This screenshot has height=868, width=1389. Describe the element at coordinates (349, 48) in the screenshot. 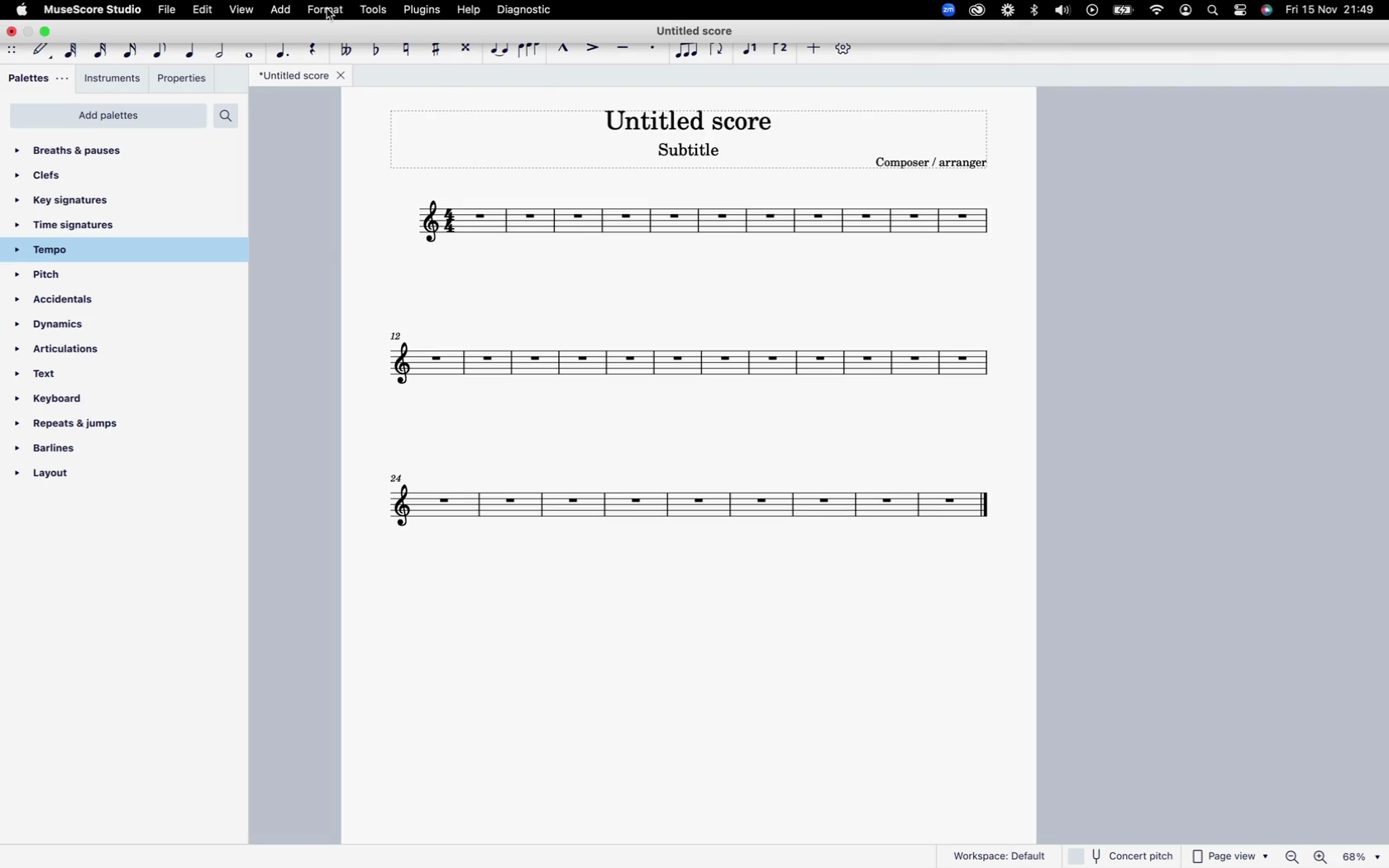

I see `double toggle flat` at that location.